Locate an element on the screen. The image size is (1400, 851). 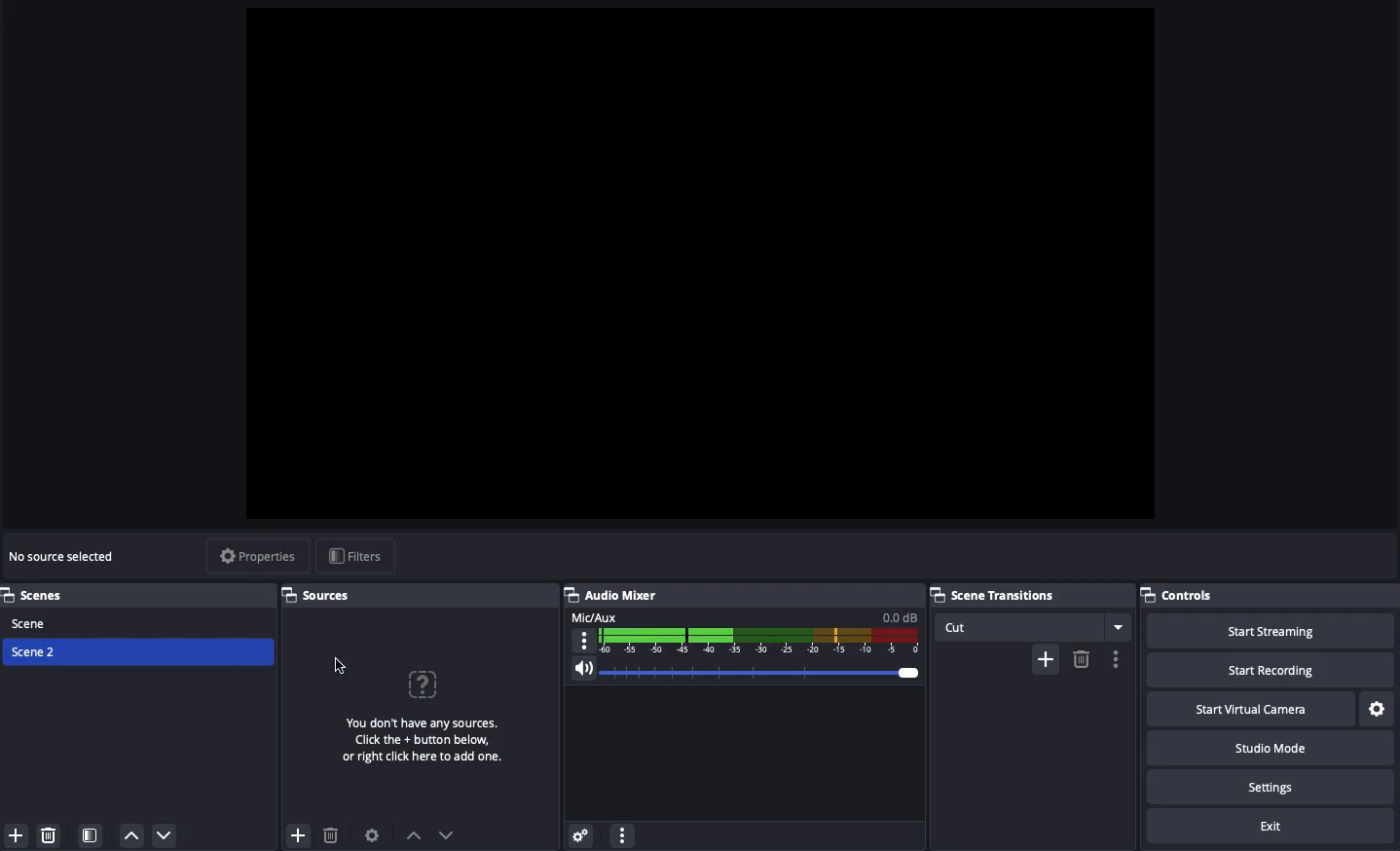
display field is located at coordinates (753, 554).